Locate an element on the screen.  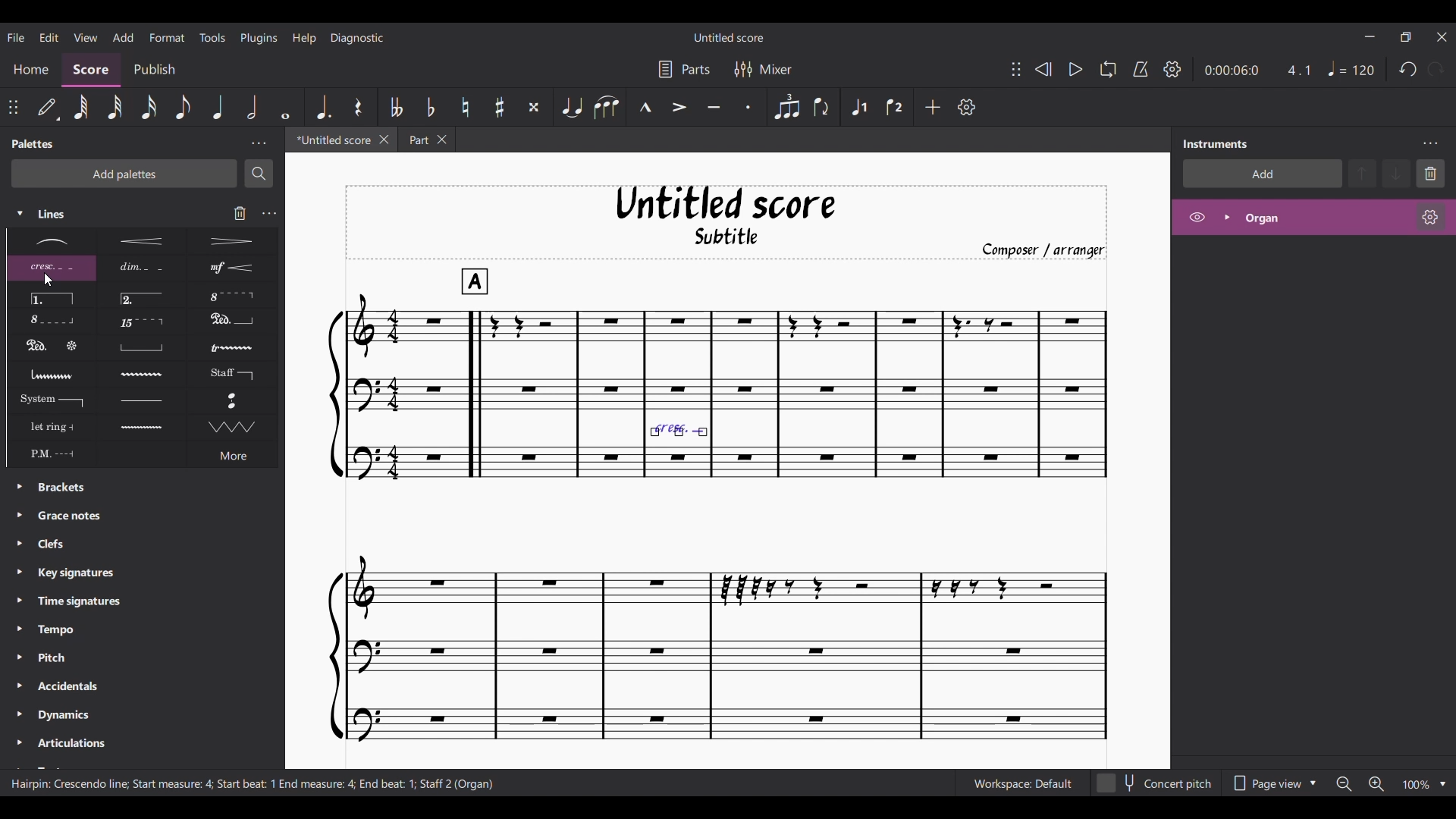
Marcato is located at coordinates (645, 107).